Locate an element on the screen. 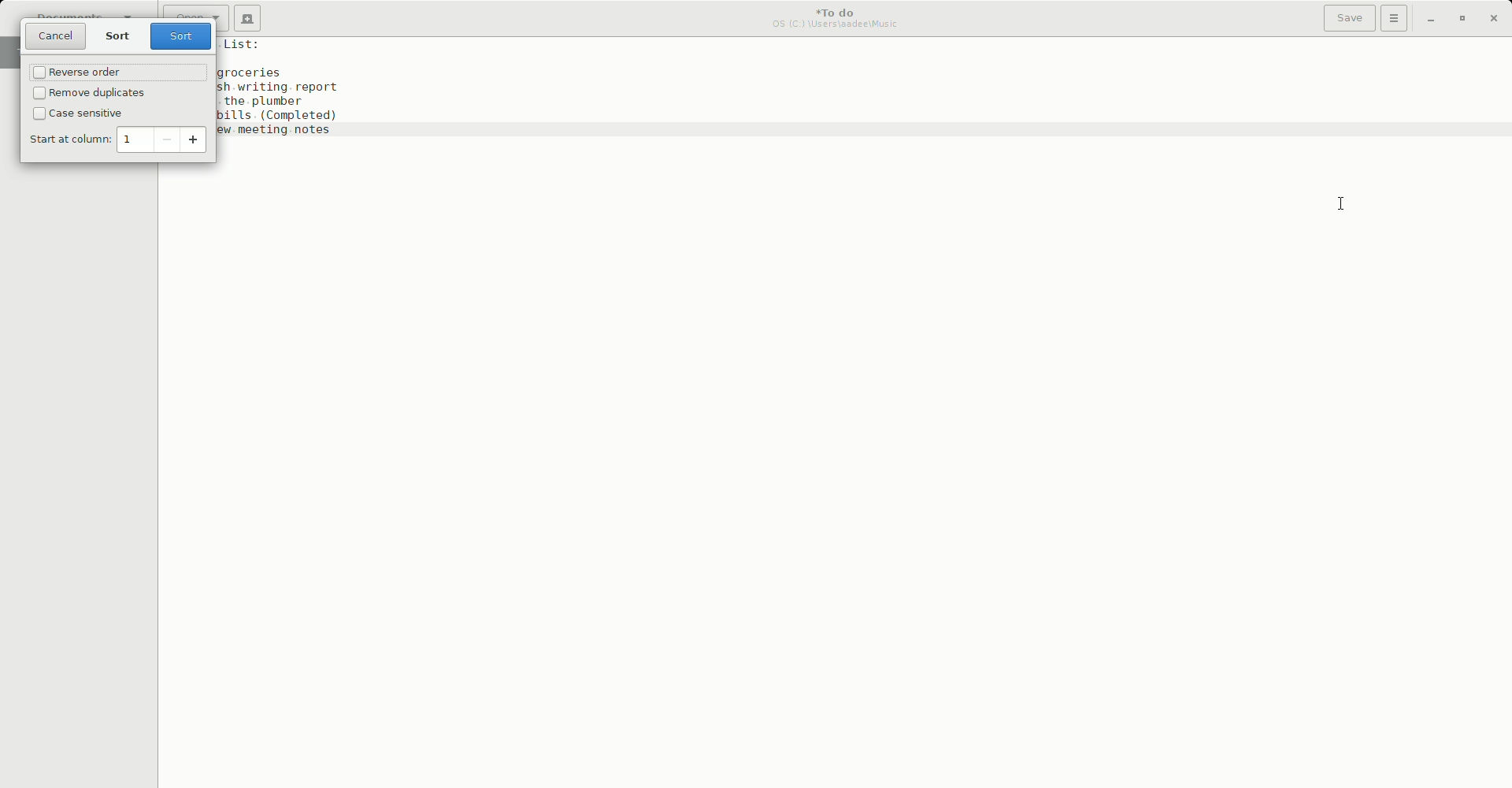  Options is located at coordinates (1395, 19).